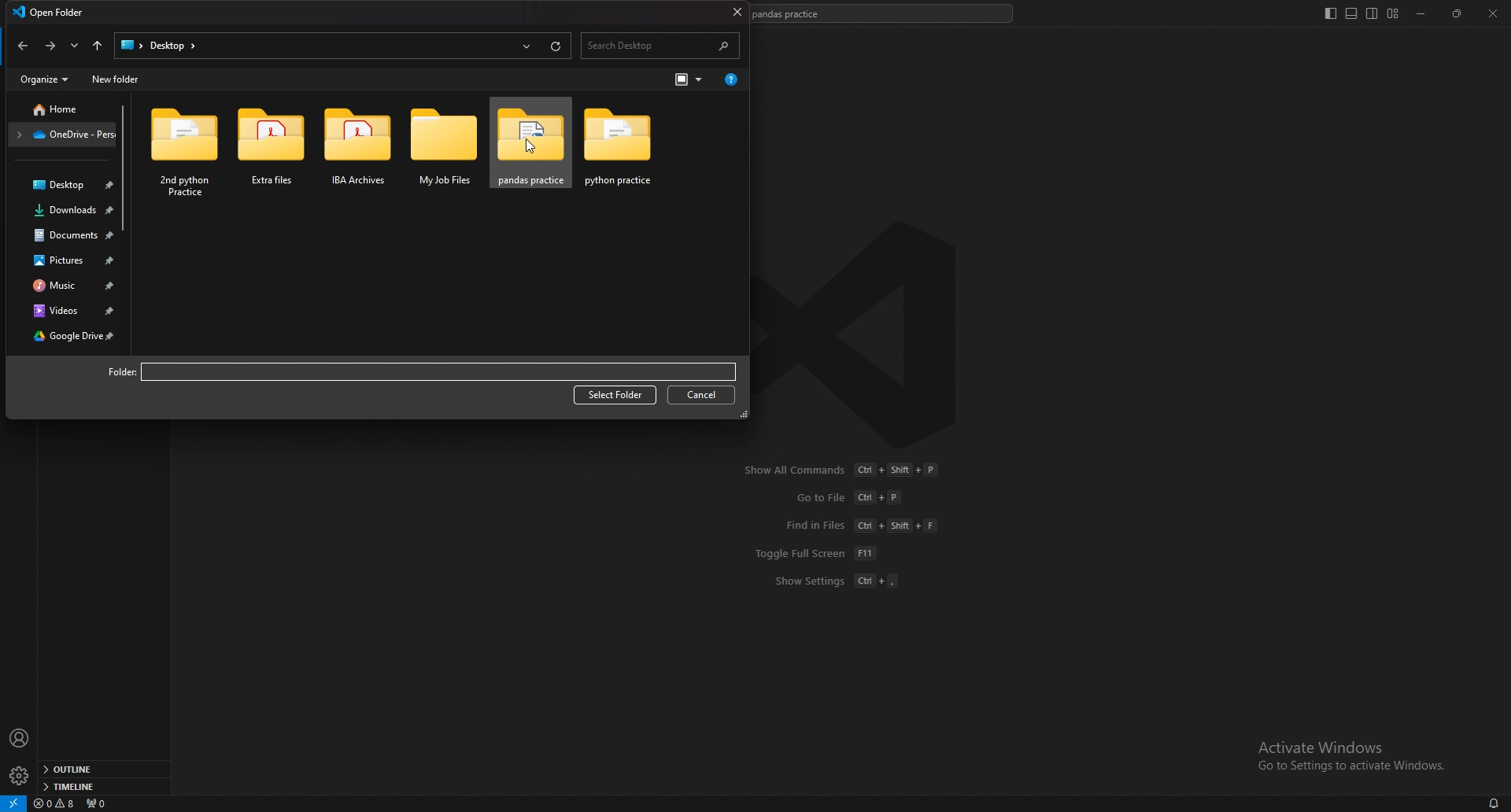 The width and height of the screenshot is (1511, 812). What do you see at coordinates (13, 803) in the screenshot?
I see `remote window` at bounding box center [13, 803].